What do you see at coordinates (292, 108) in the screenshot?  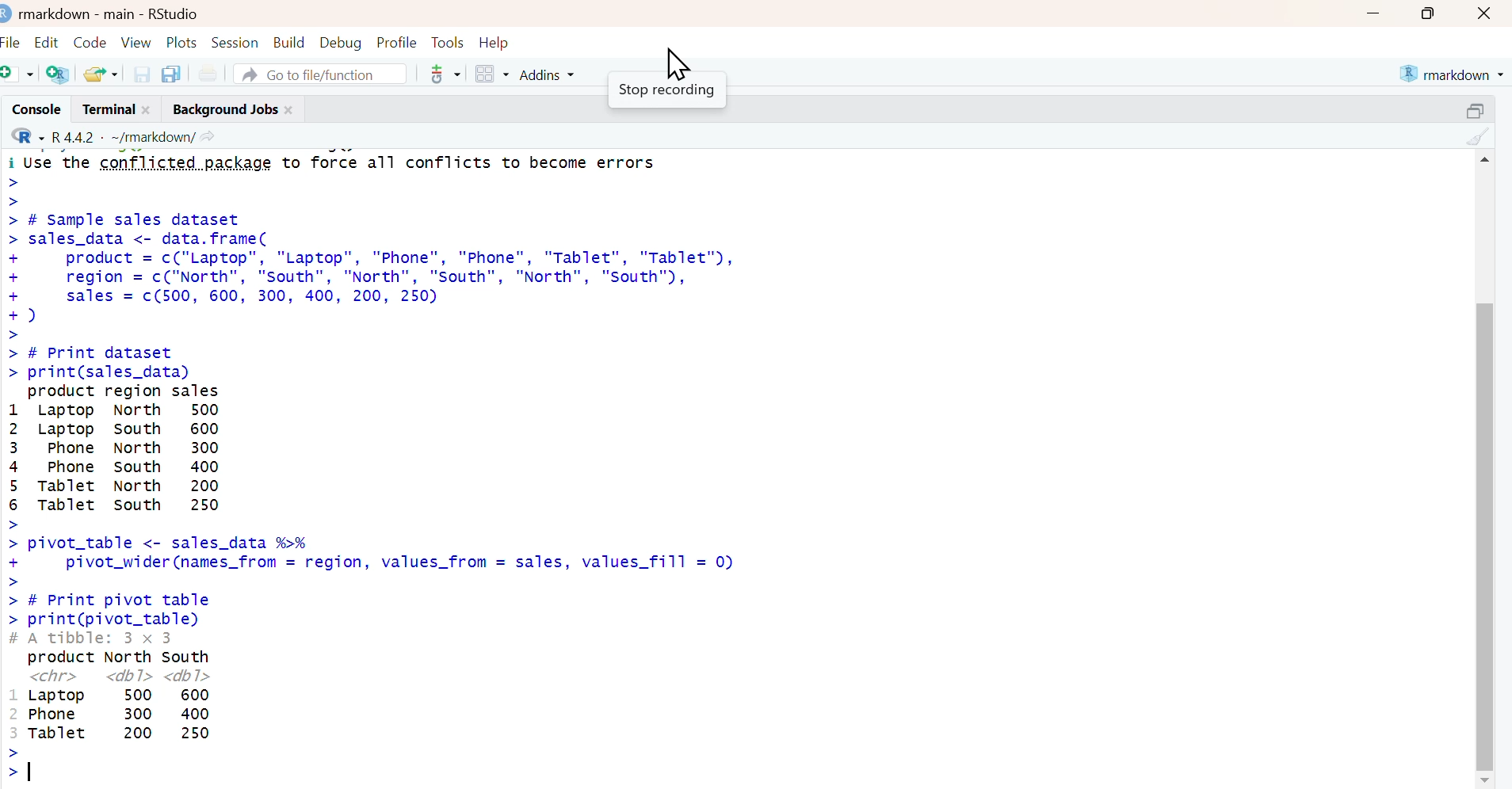 I see `close` at bounding box center [292, 108].